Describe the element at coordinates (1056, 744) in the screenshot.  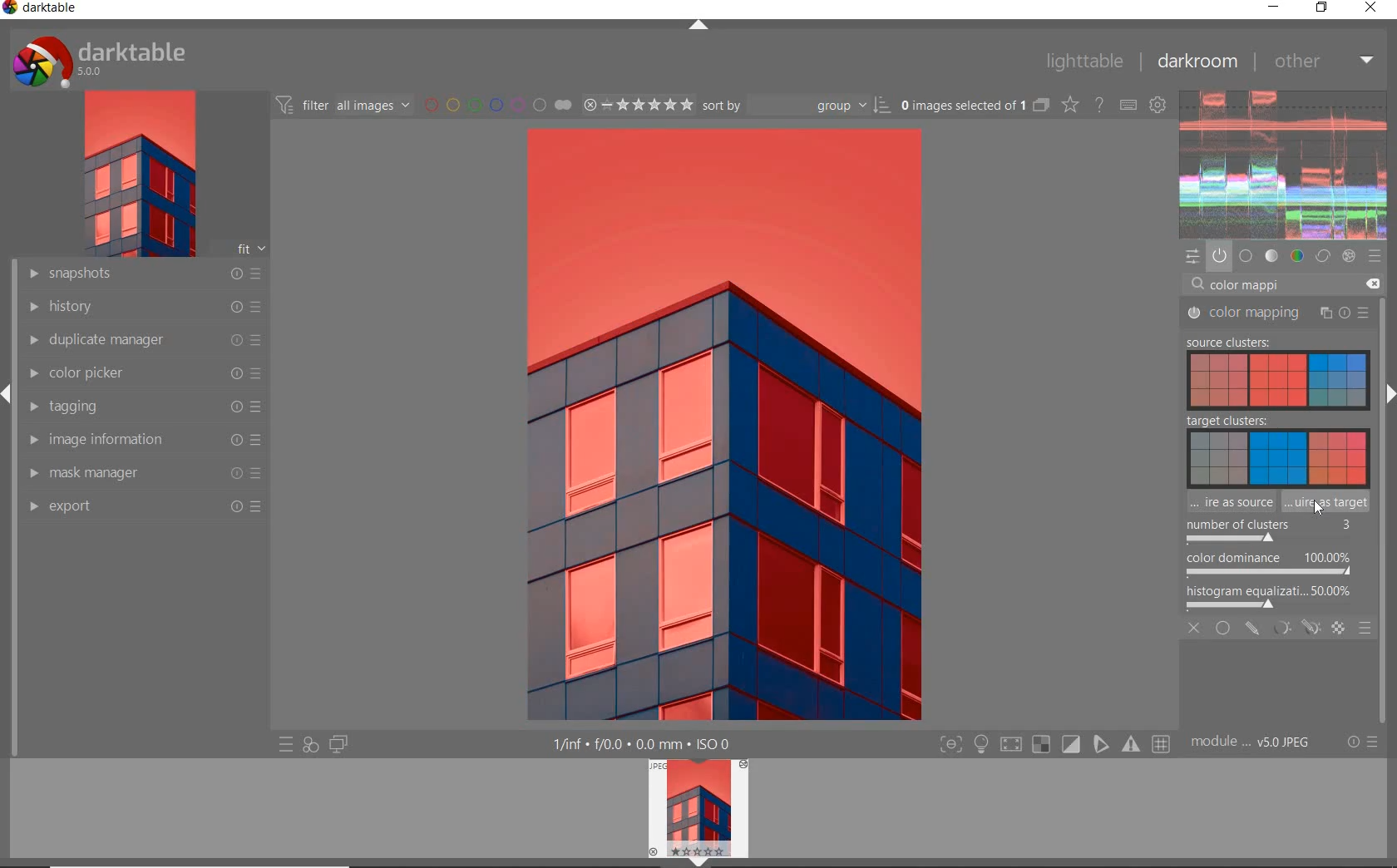
I see `toggle modes` at that location.